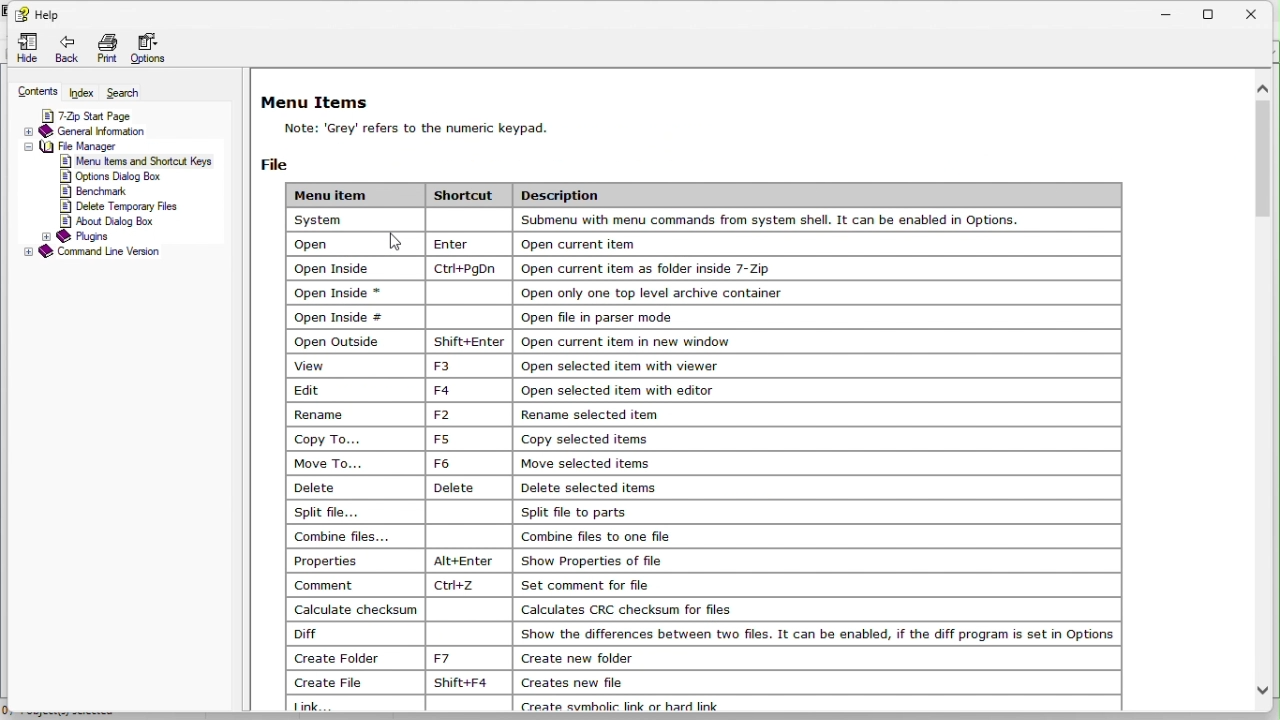 Image resolution: width=1280 pixels, height=720 pixels. Describe the element at coordinates (491, 414) in the screenshot. I see `| Rename 1 F2 | Rename selected item` at that location.